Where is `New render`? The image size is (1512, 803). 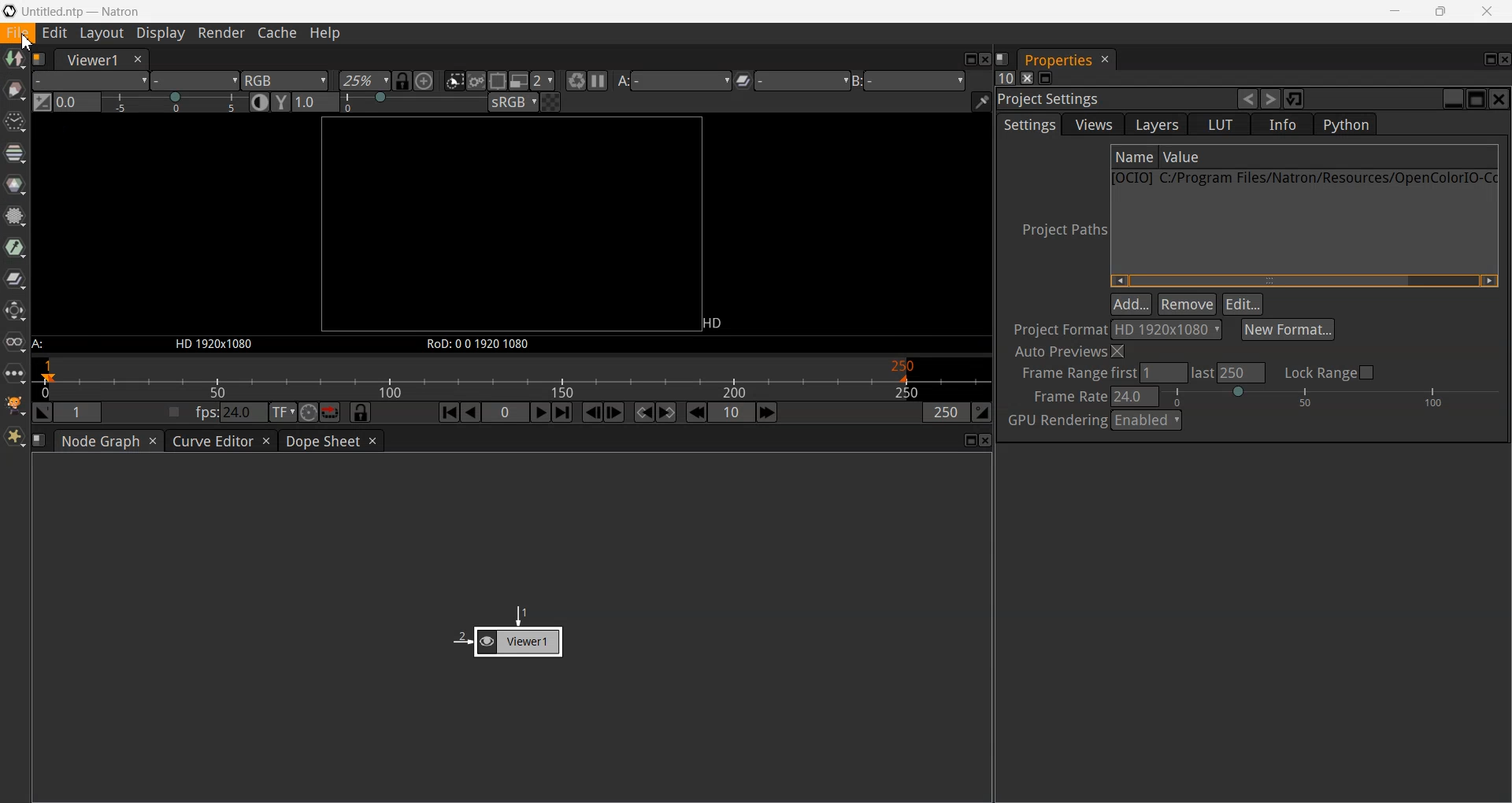
New render is located at coordinates (575, 80).